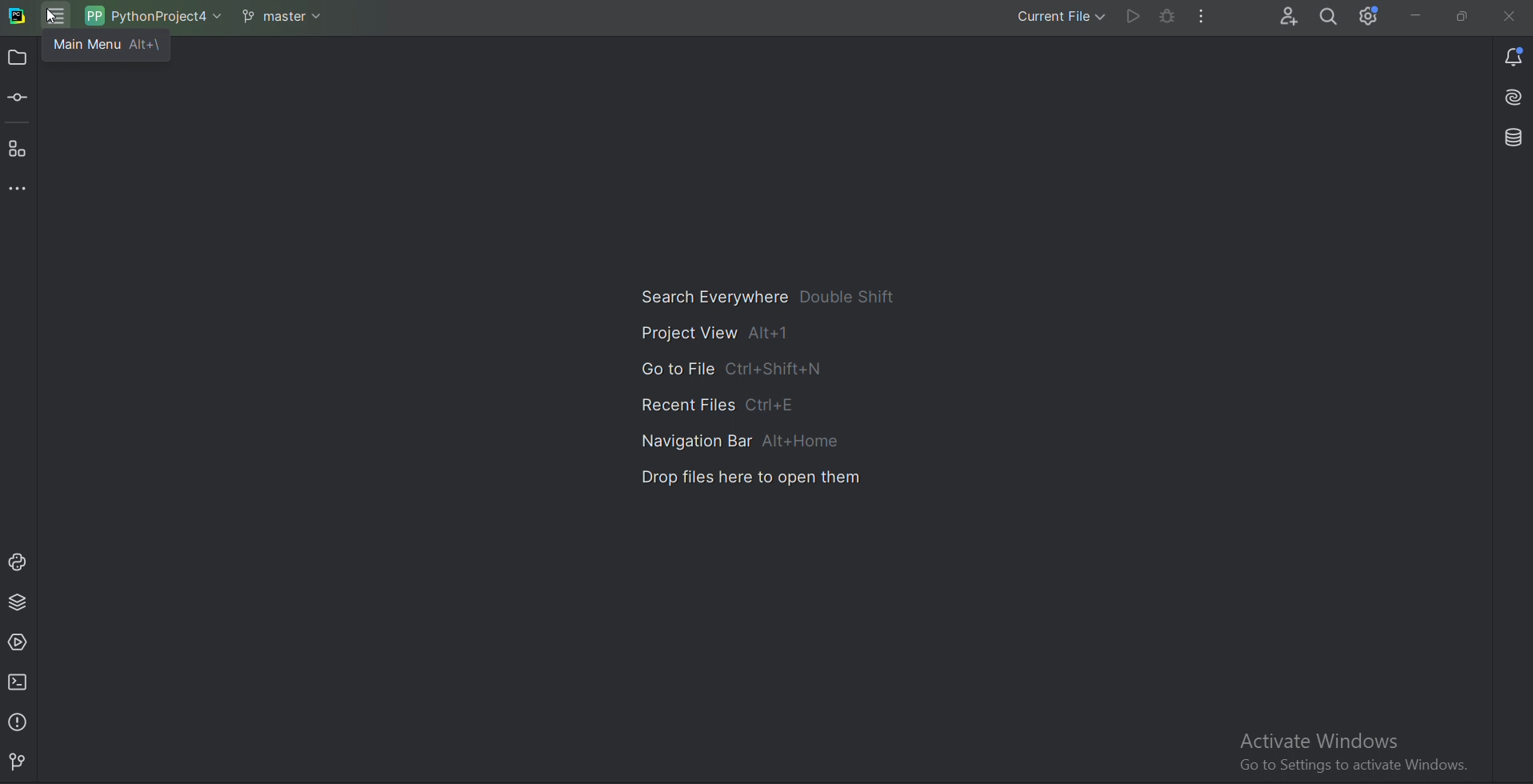 The width and height of the screenshot is (1533, 784). Describe the element at coordinates (772, 296) in the screenshot. I see `Search Everywhere Double Shift` at that location.